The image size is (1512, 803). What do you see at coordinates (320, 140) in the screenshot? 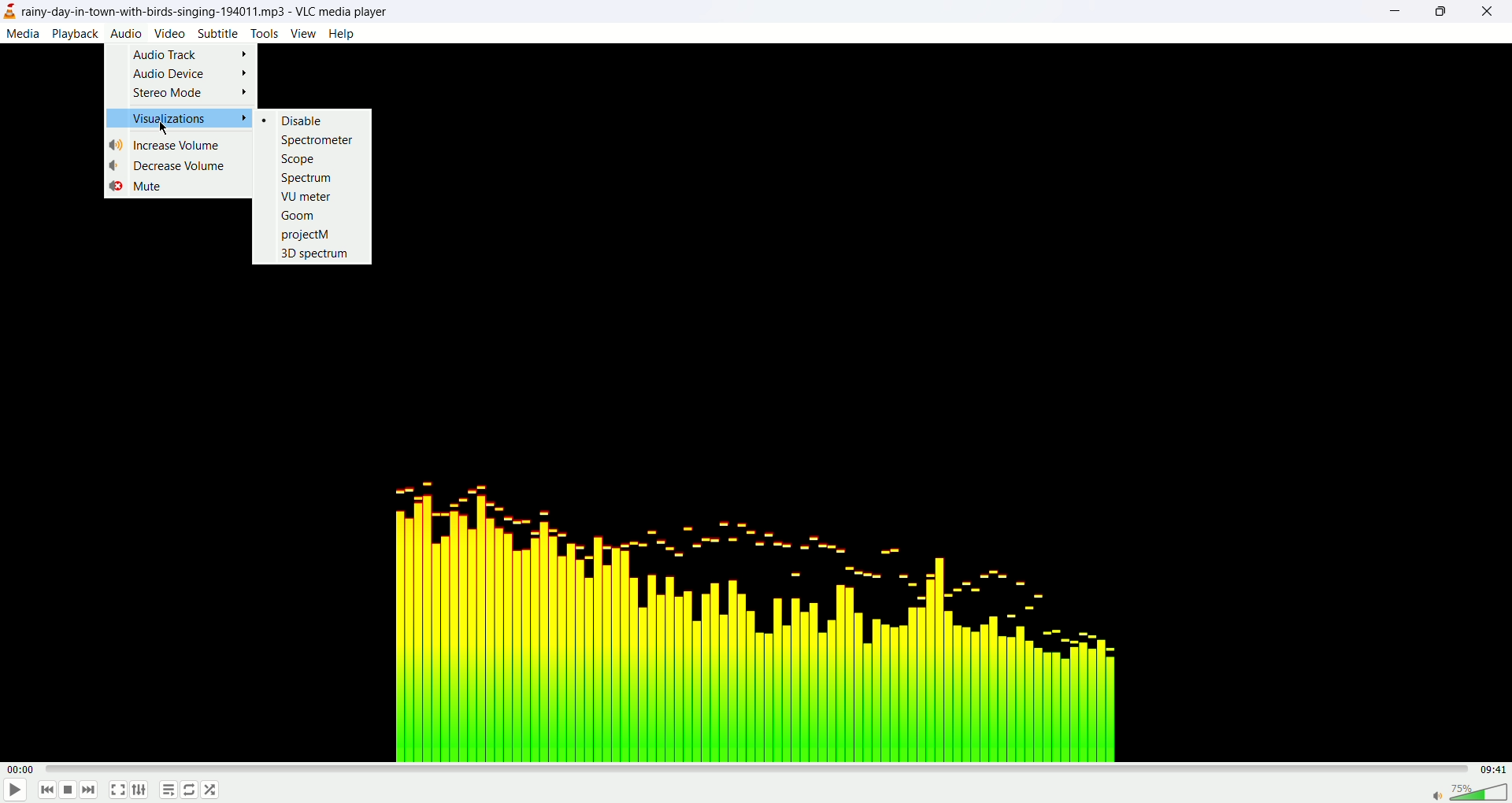
I see `spectrometer` at bounding box center [320, 140].